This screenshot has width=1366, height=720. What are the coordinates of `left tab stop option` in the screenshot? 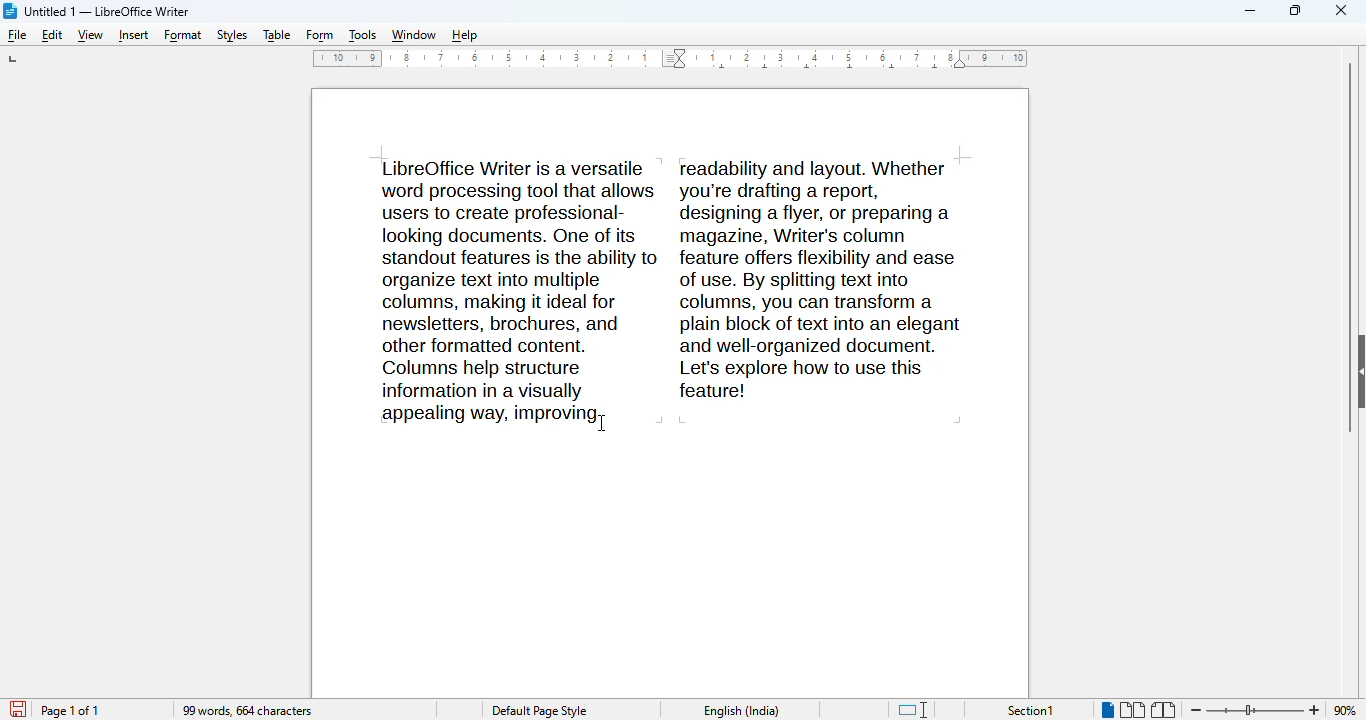 It's located at (16, 59).